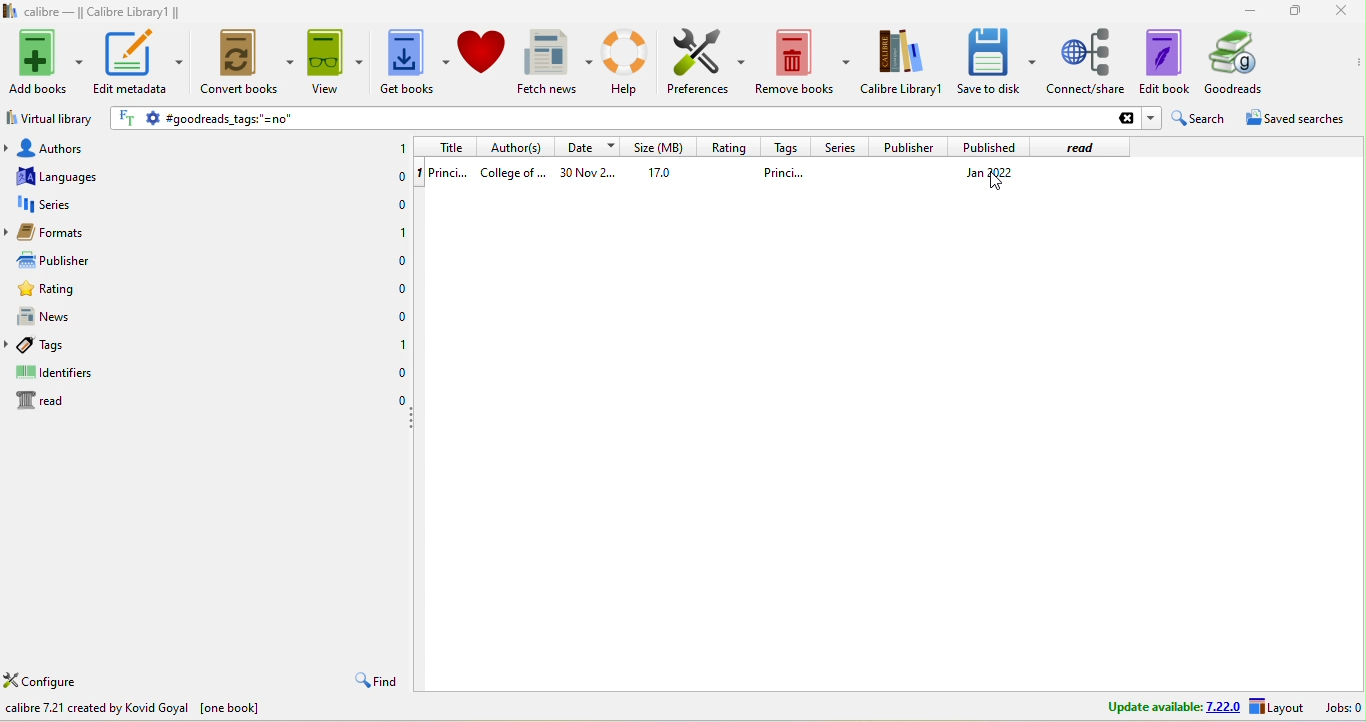 The image size is (1366, 722). What do you see at coordinates (665, 172) in the screenshot?
I see `17.0` at bounding box center [665, 172].